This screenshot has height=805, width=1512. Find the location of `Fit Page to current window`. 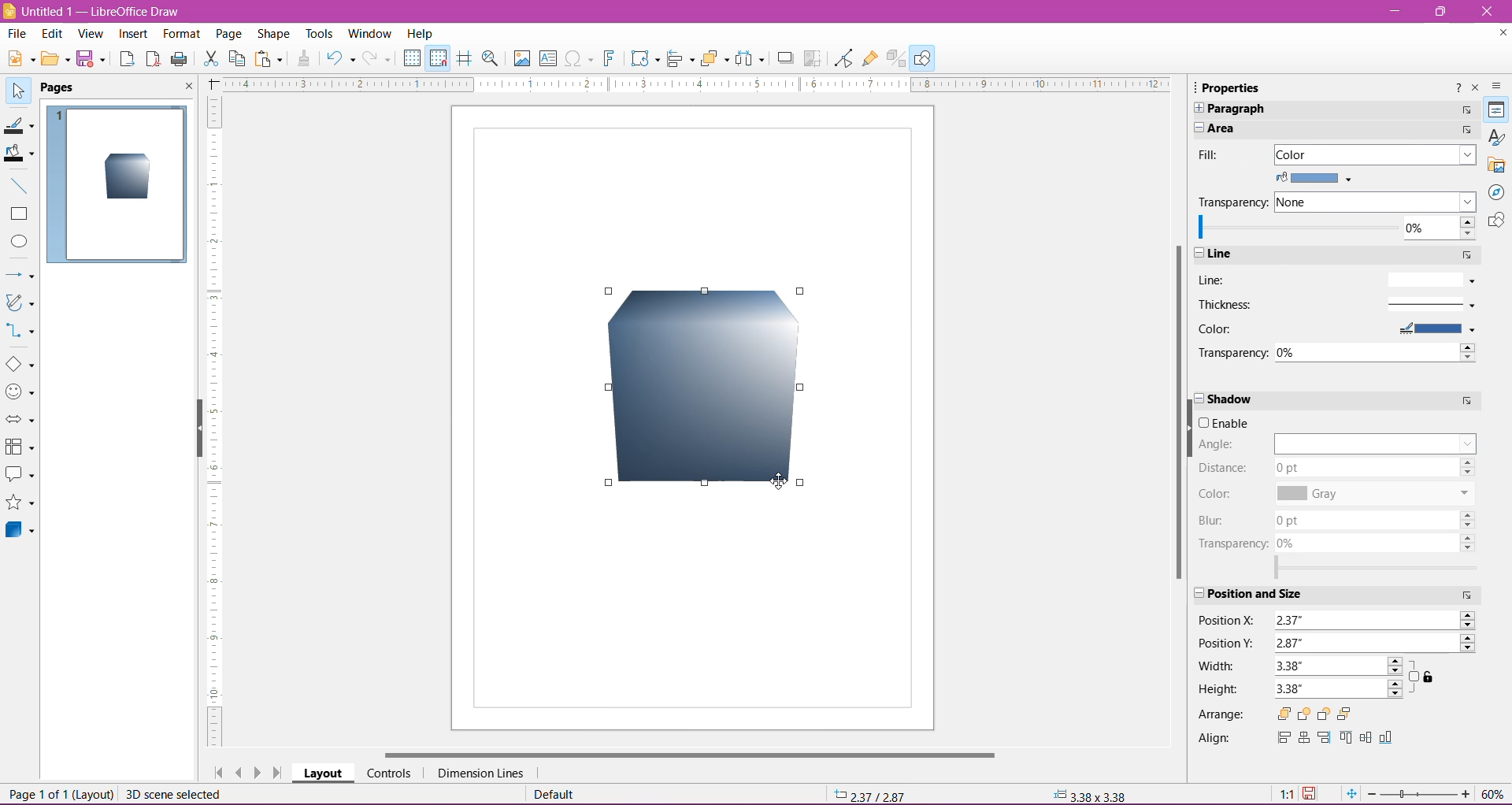

Fit Page to current window is located at coordinates (1351, 794).